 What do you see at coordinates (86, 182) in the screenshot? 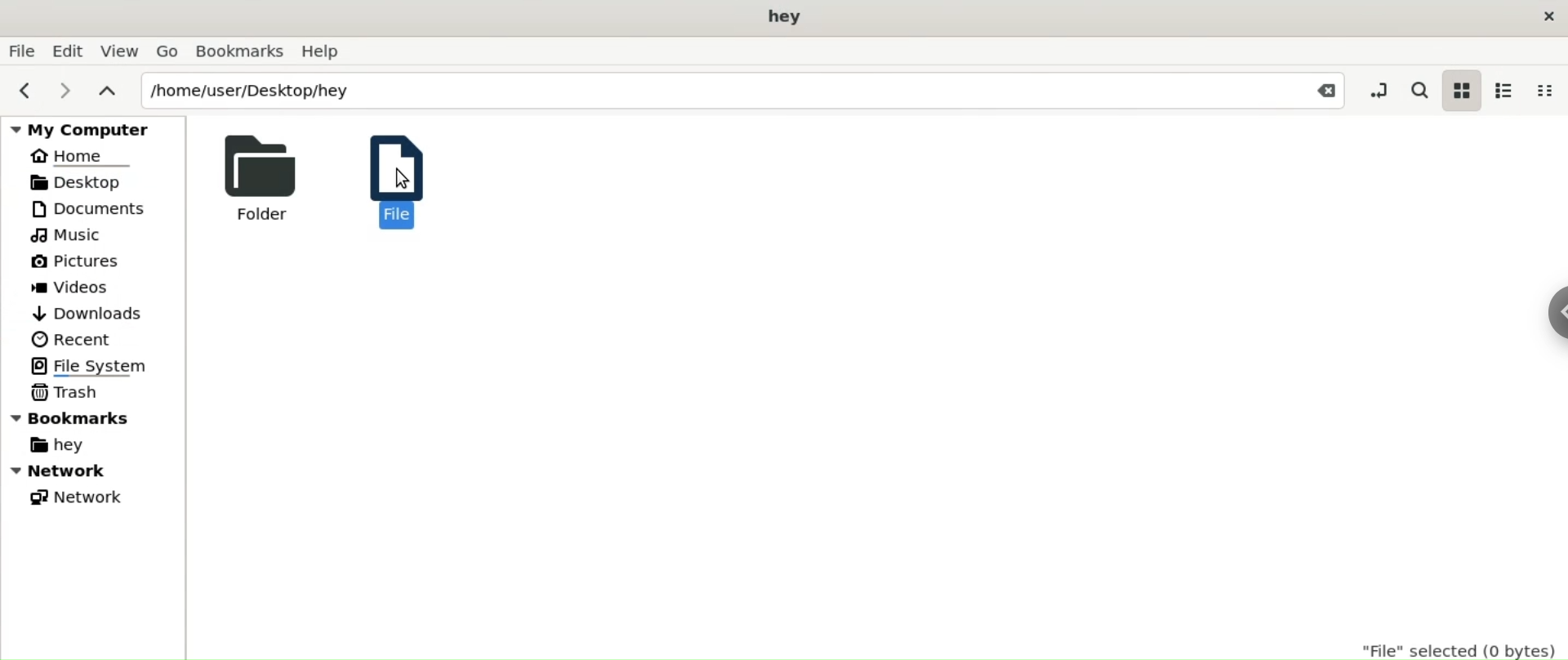
I see `Desktop` at bounding box center [86, 182].